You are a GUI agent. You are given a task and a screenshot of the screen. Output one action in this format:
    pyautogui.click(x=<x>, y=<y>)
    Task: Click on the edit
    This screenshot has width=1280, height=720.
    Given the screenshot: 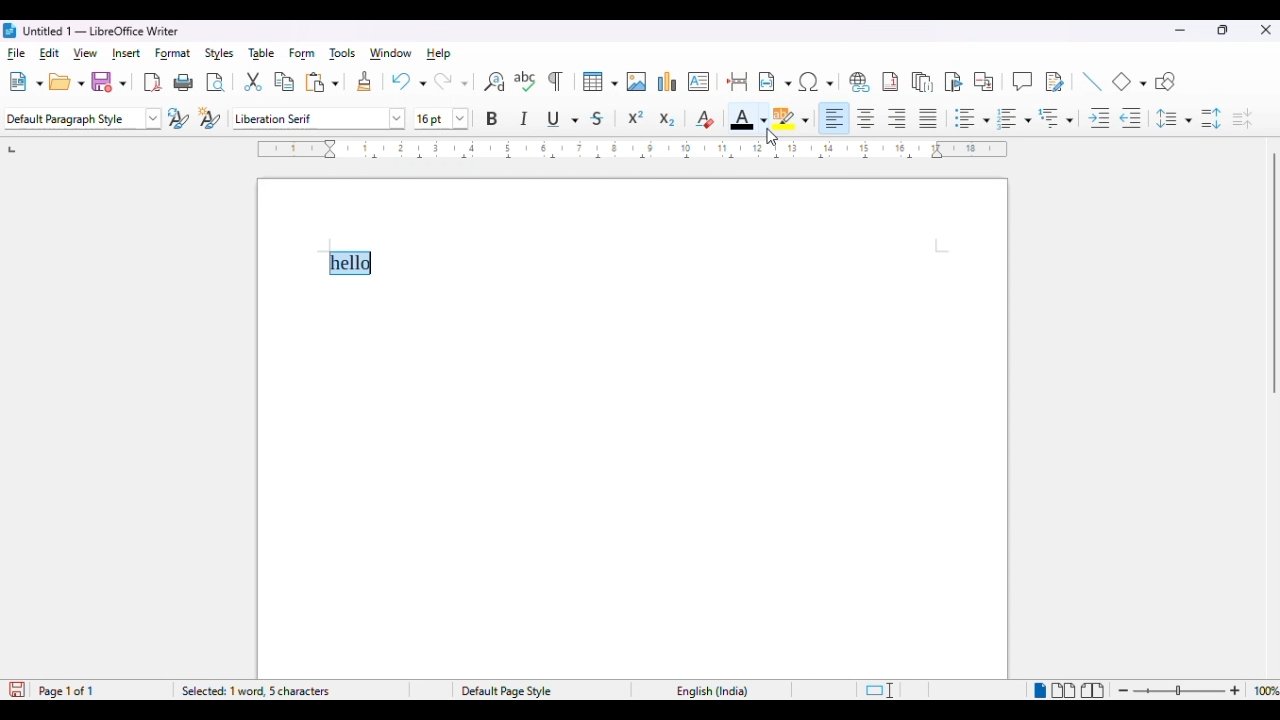 What is the action you would take?
    pyautogui.click(x=50, y=53)
    